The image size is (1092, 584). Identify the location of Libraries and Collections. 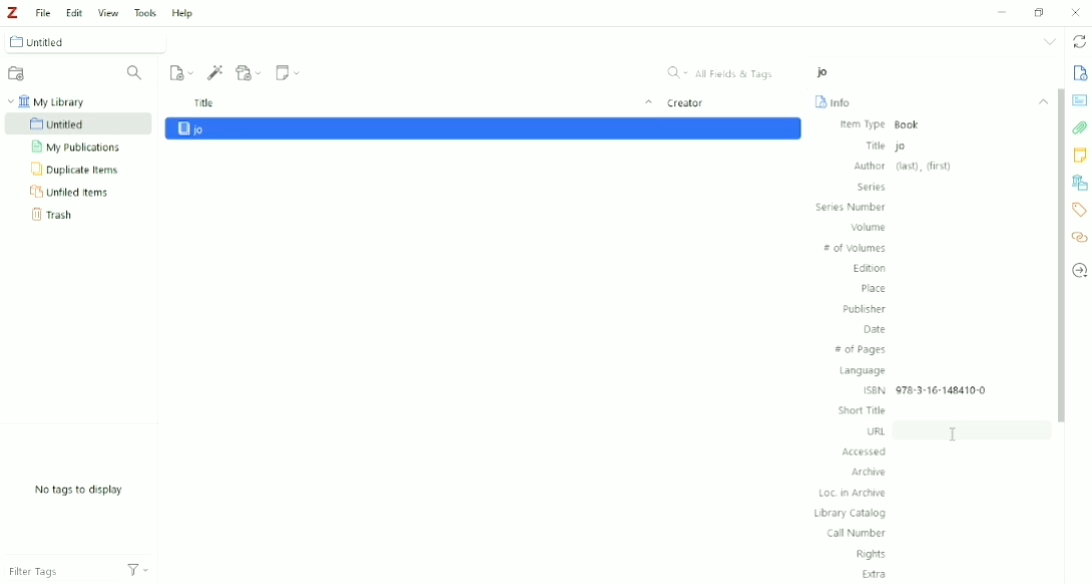
(1080, 183).